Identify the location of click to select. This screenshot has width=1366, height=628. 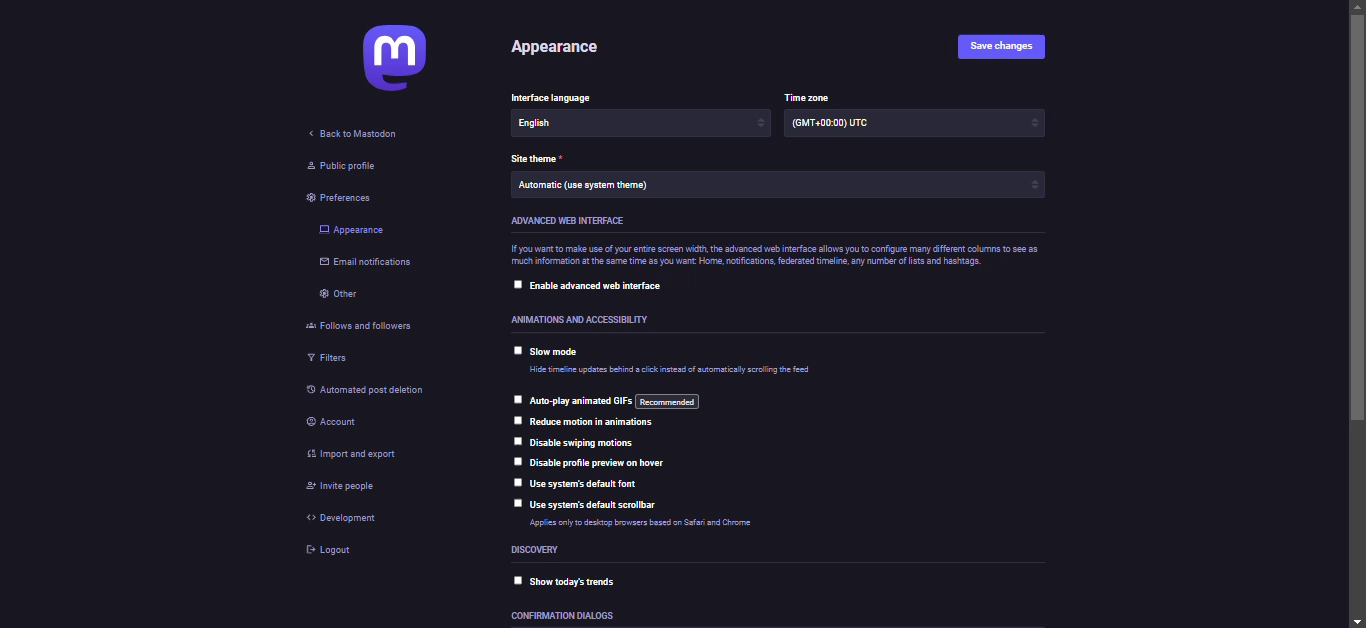
(515, 504).